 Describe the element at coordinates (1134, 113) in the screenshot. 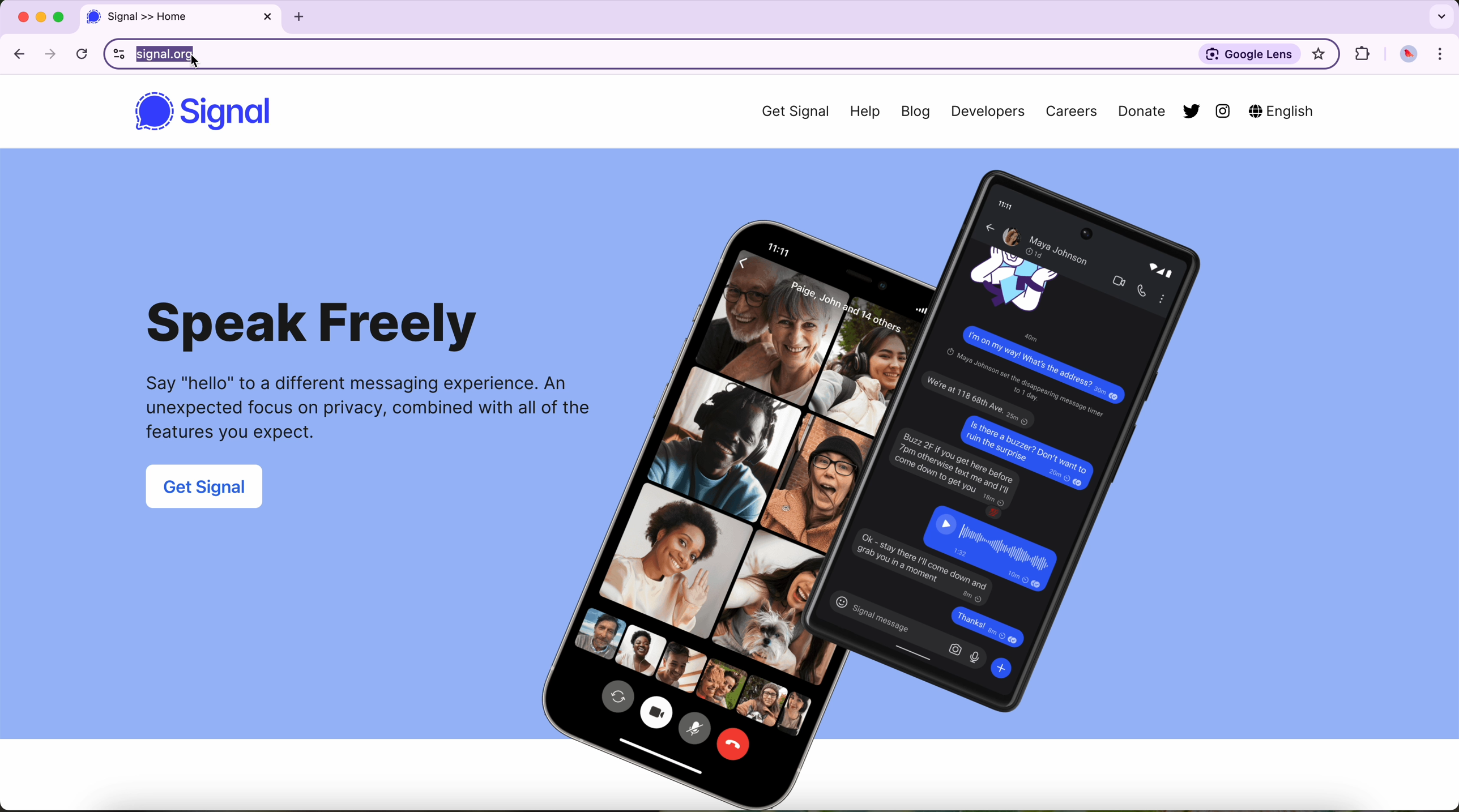

I see `Donate` at that location.